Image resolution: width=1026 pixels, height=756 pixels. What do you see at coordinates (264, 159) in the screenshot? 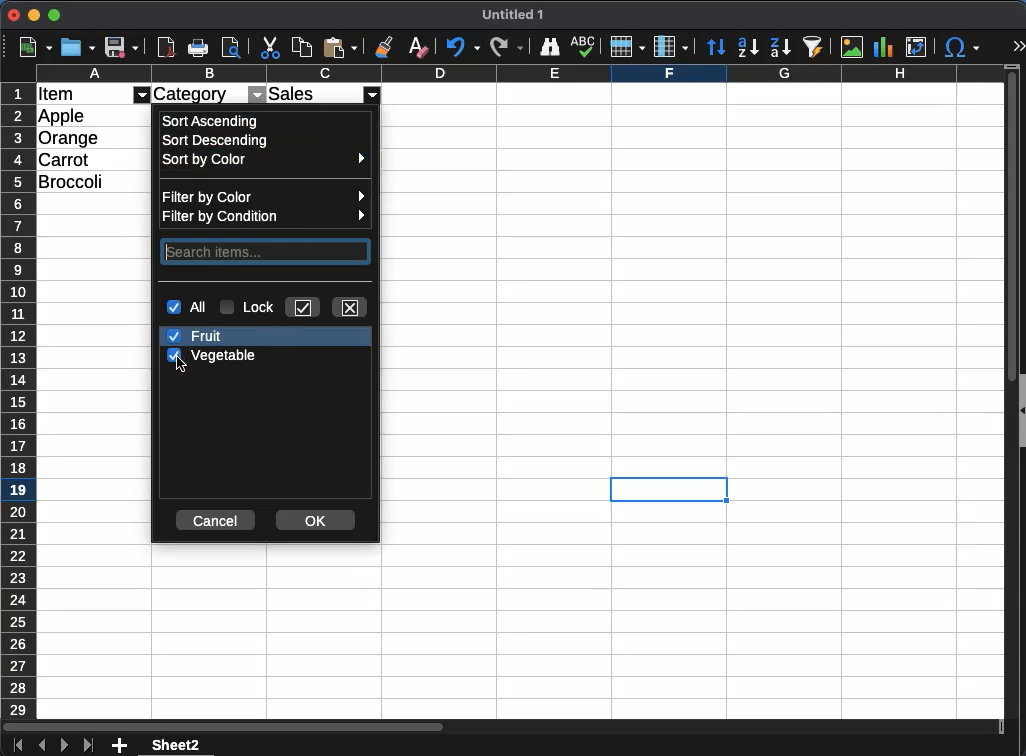
I see `sort by color` at bounding box center [264, 159].